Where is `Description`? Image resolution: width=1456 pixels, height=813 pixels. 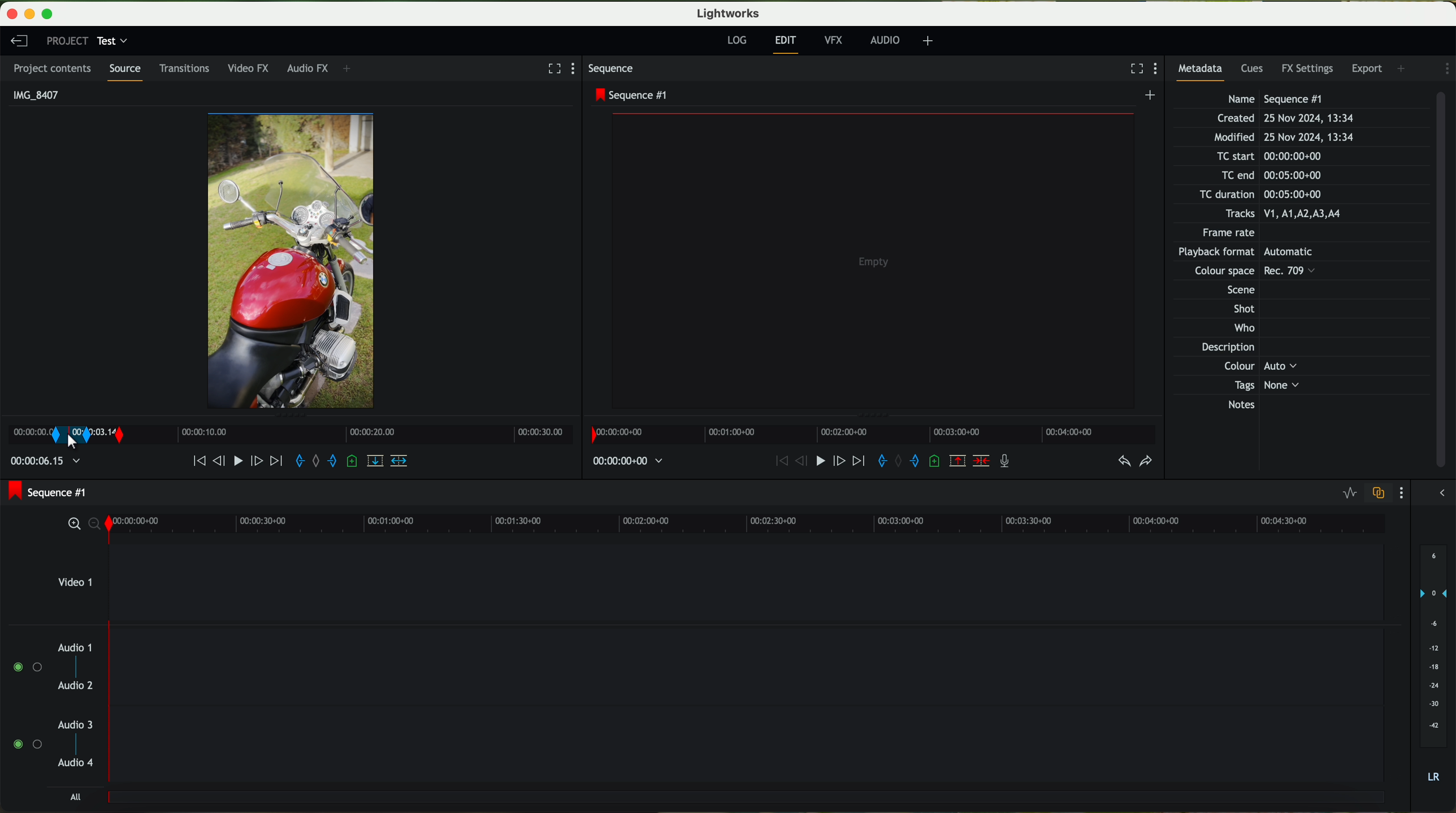
Description is located at coordinates (1241, 348).